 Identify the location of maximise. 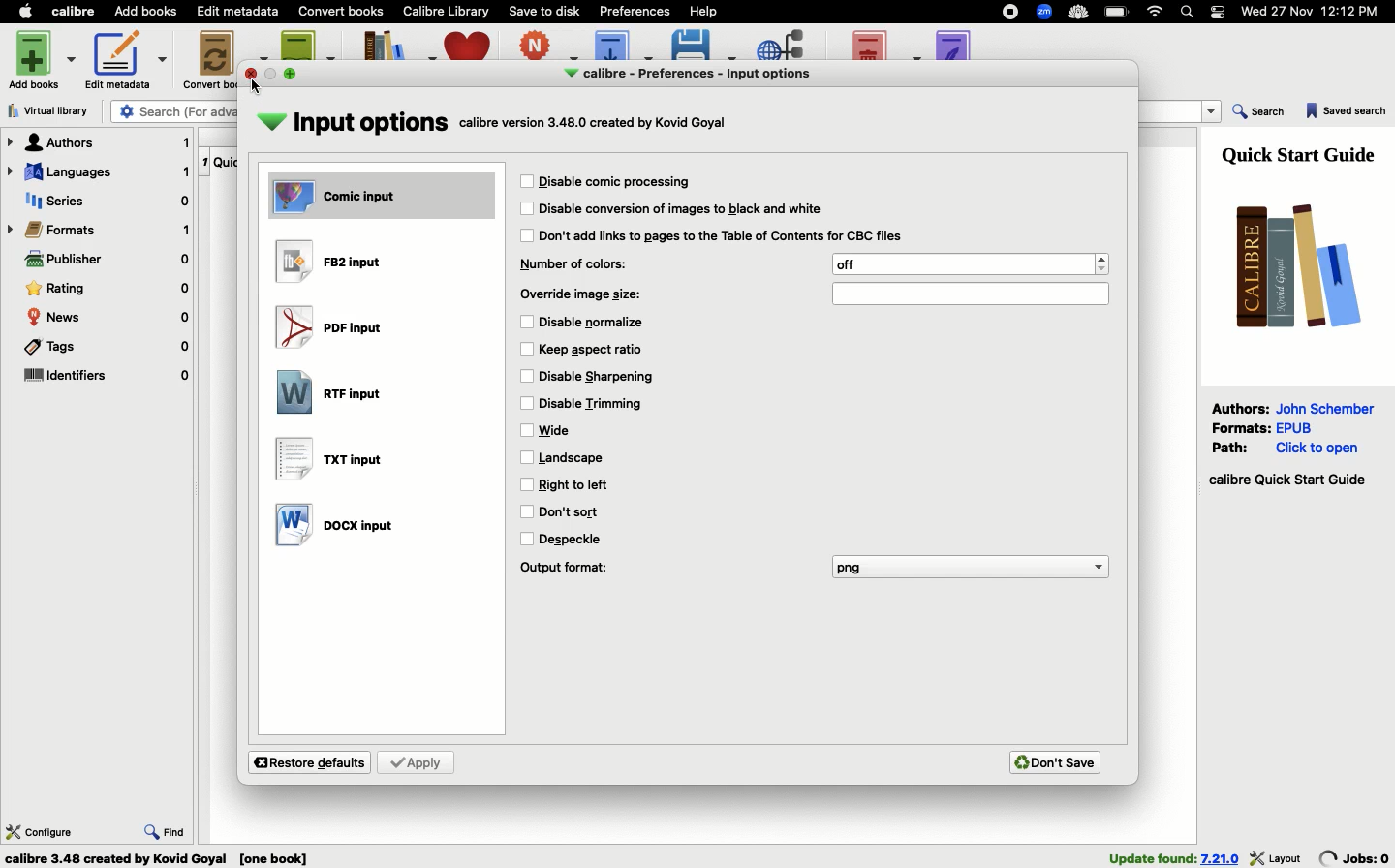
(293, 73).